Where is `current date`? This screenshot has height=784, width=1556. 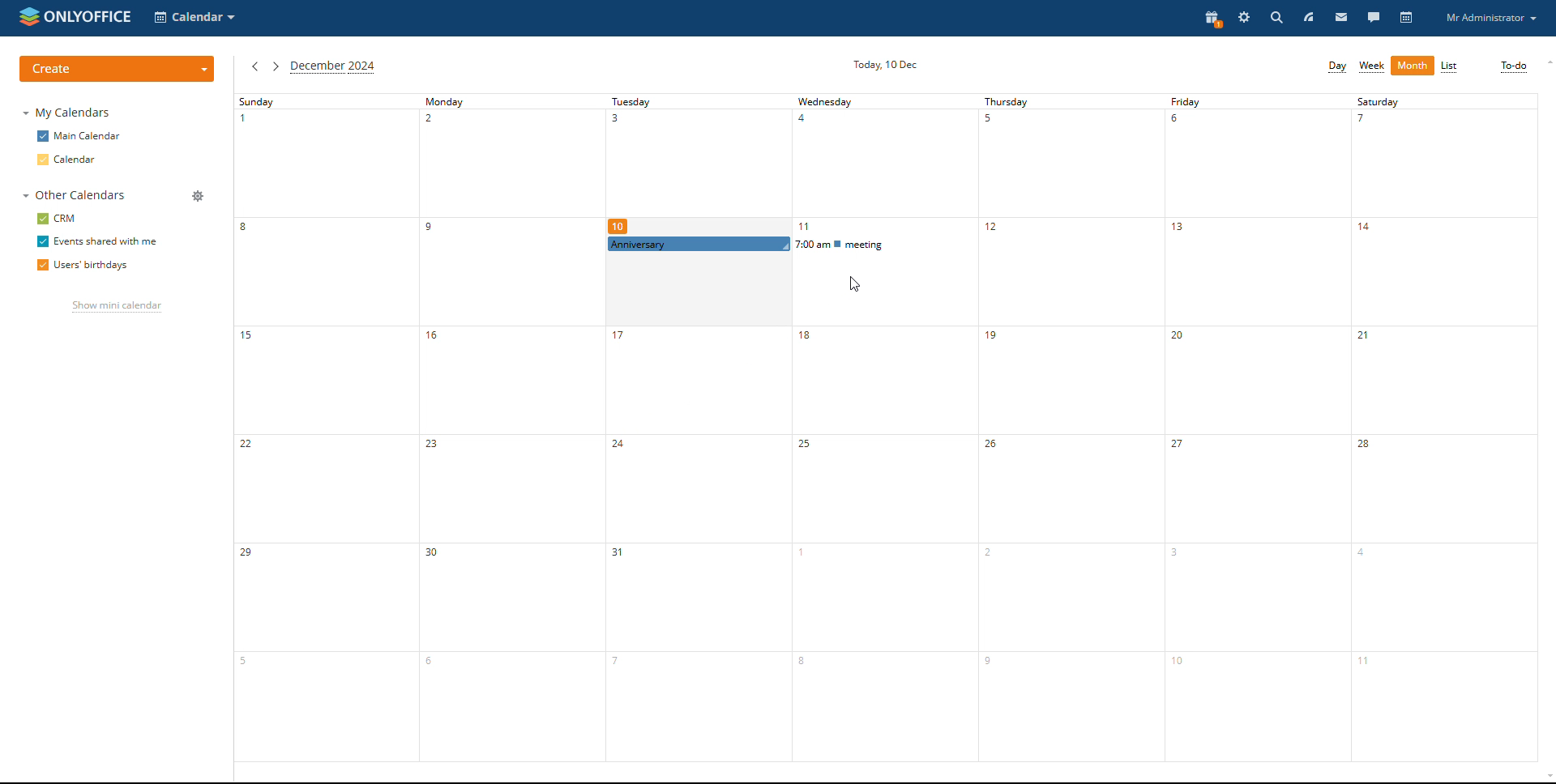 current date is located at coordinates (885, 65).